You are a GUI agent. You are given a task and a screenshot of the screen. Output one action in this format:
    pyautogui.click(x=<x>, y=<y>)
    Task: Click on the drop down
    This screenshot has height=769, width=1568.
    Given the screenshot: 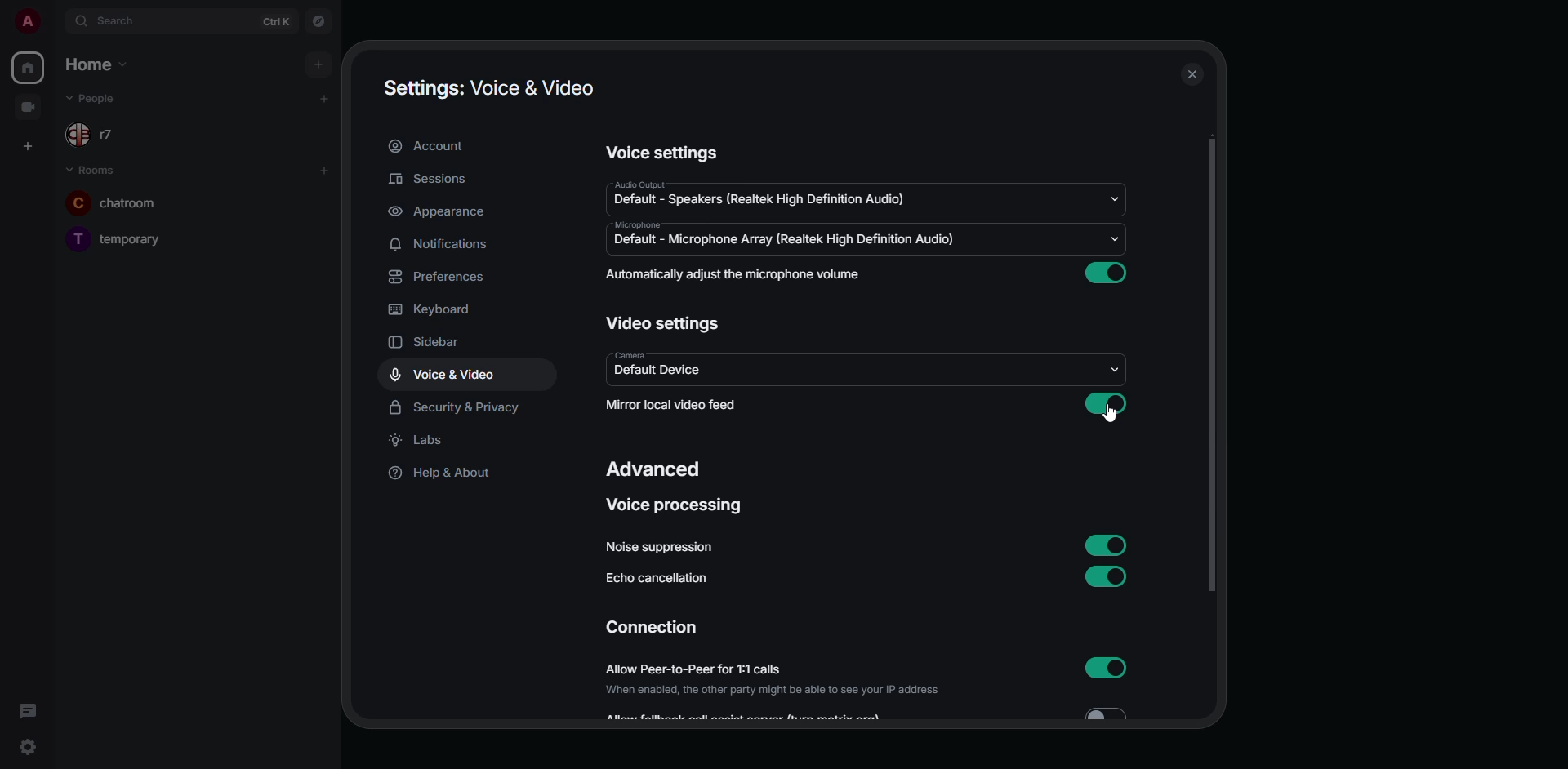 What is the action you would take?
    pyautogui.click(x=1114, y=239)
    